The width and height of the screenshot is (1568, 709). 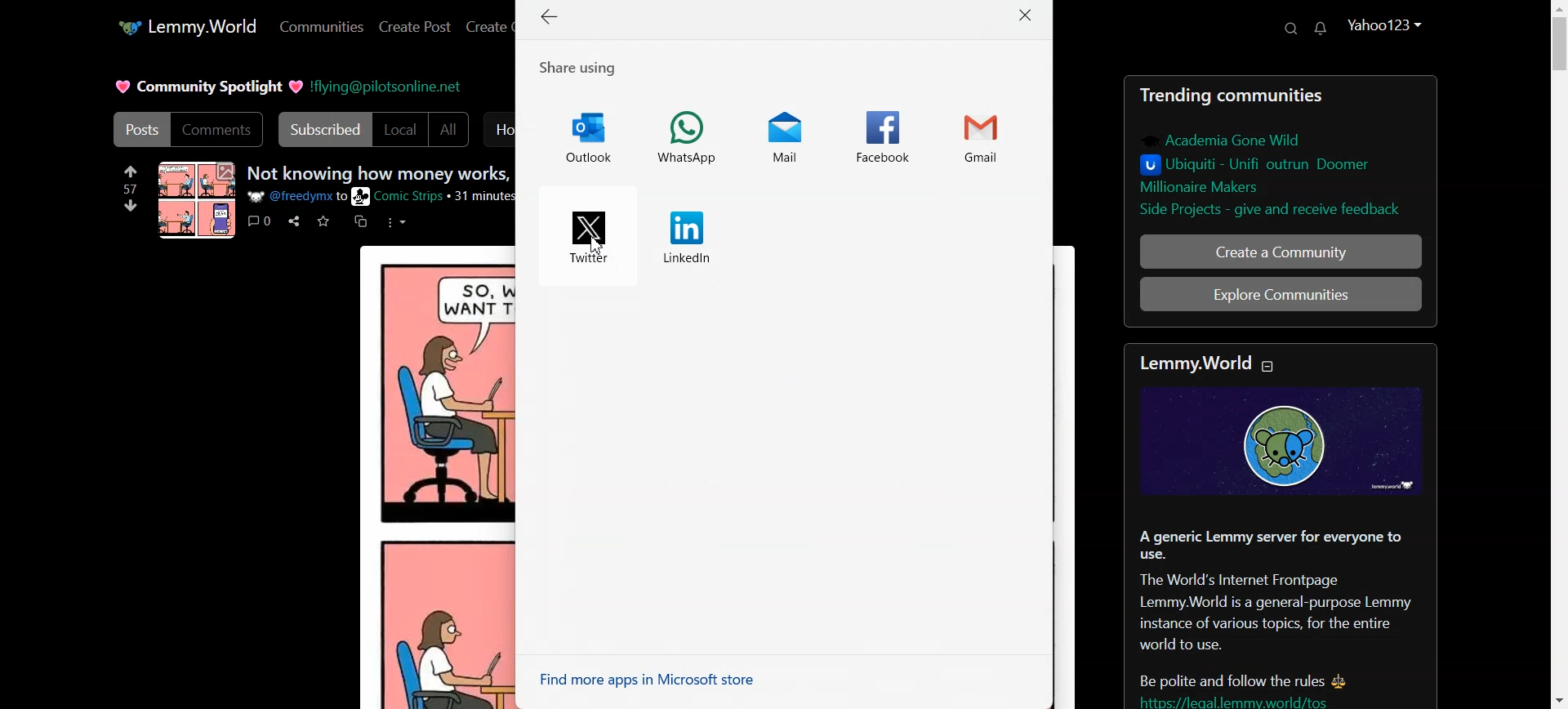 What do you see at coordinates (186, 28) in the screenshot?
I see `Home Page` at bounding box center [186, 28].